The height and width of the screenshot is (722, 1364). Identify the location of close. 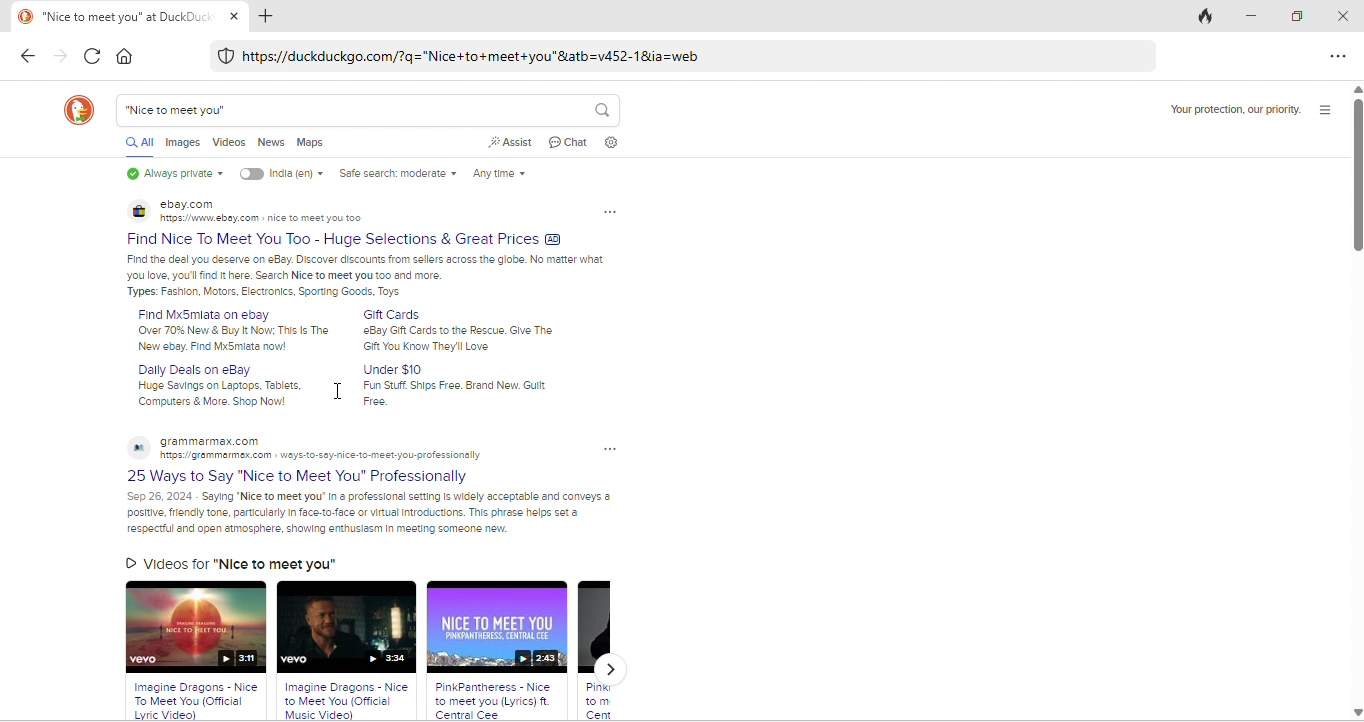
(235, 15).